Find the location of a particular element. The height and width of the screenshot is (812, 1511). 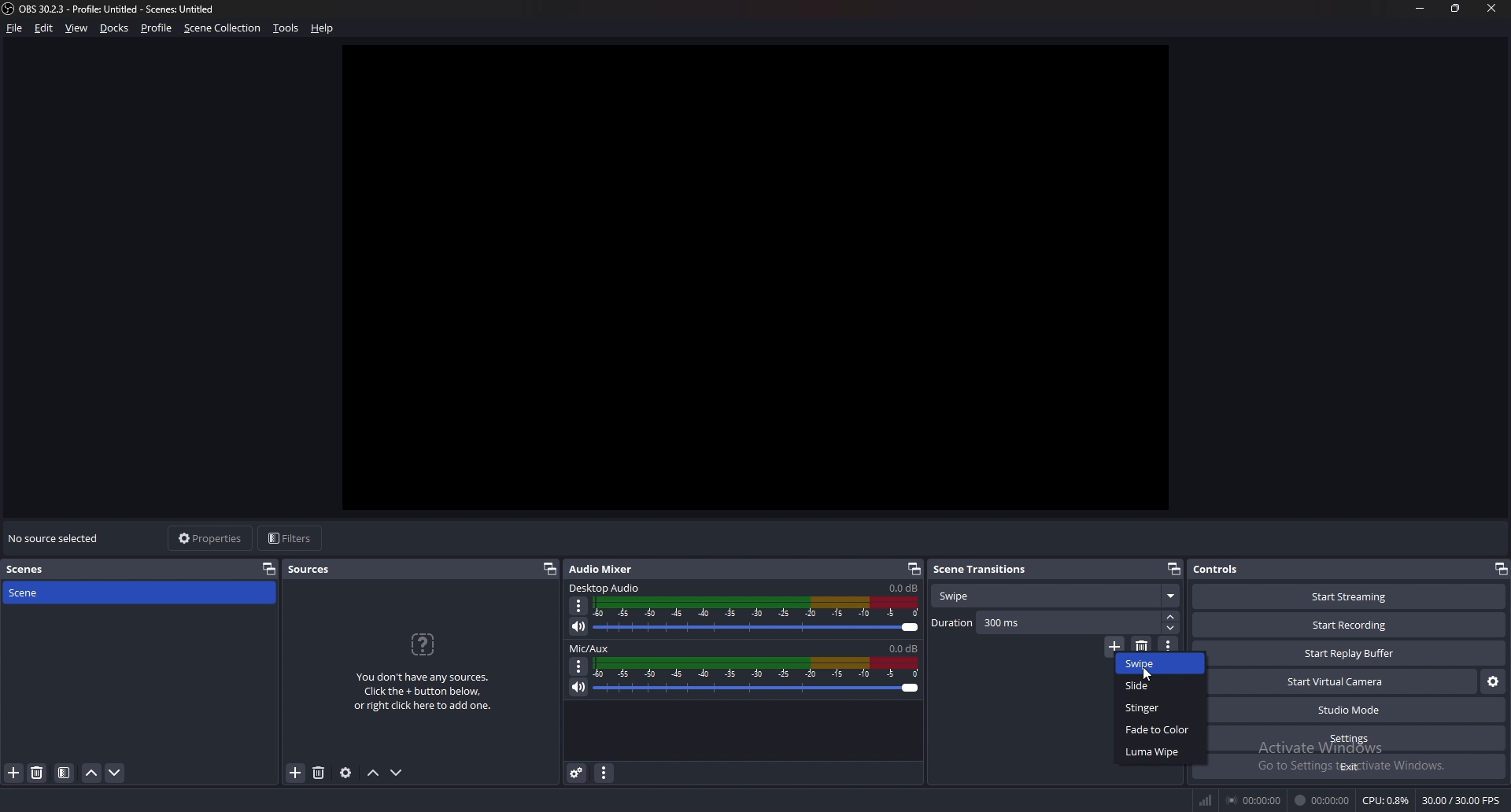

move down is located at coordinates (397, 773).